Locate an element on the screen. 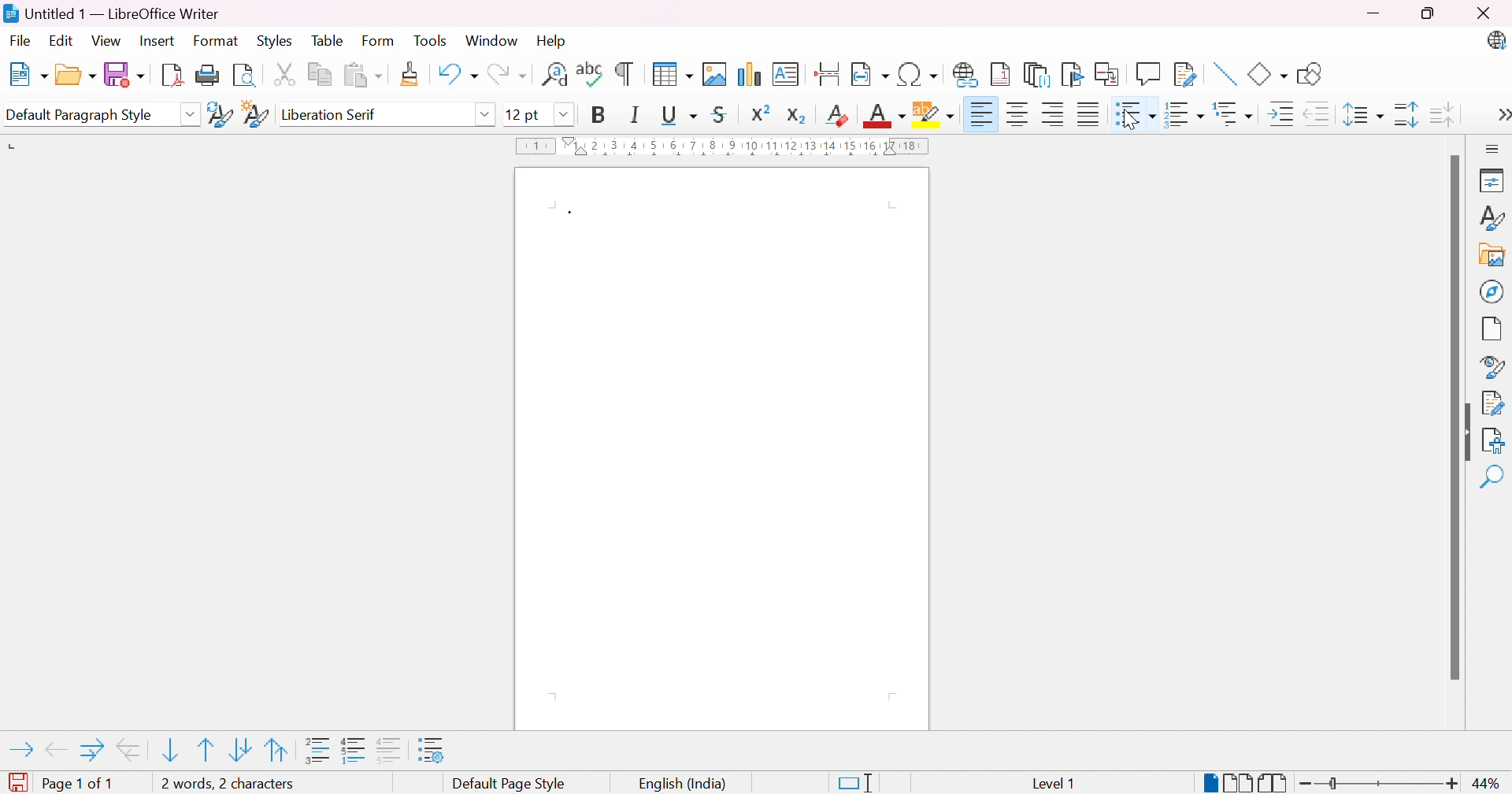  Insert image is located at coordinates (716, 74).